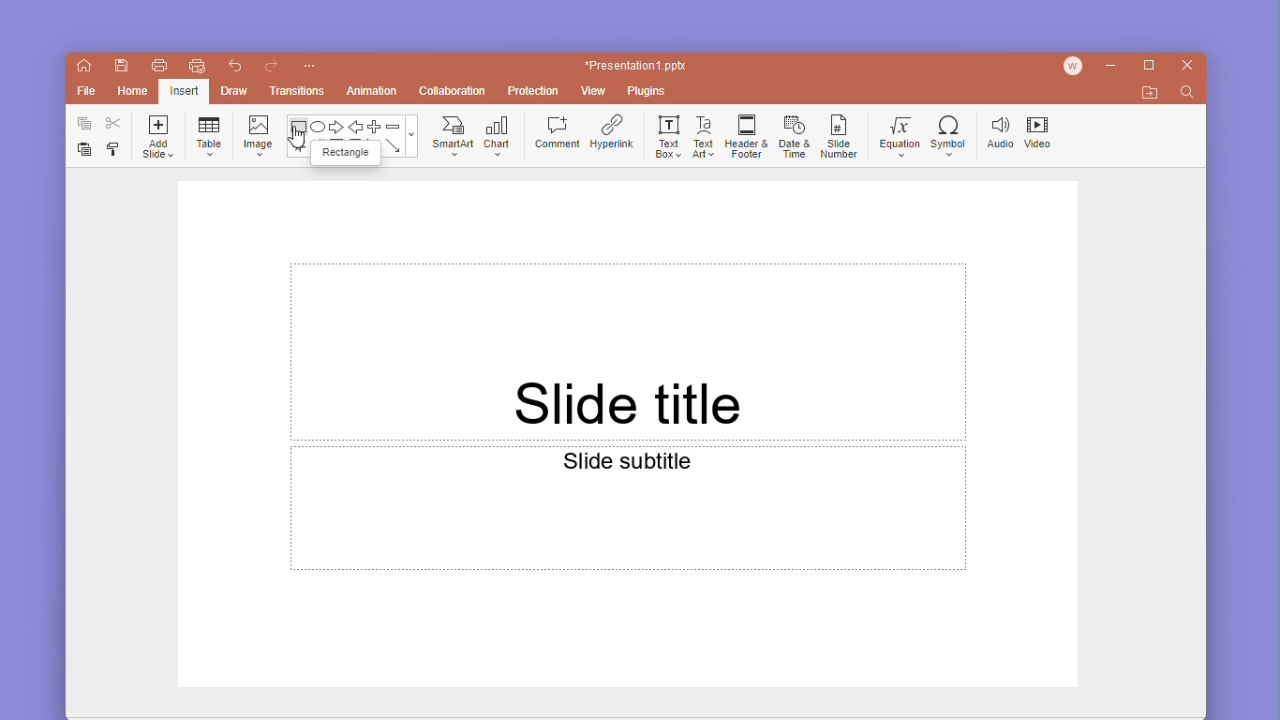 This screenshot has width=1280, height=720. I want to click on customize quick access toolbar, so click(311, 64).